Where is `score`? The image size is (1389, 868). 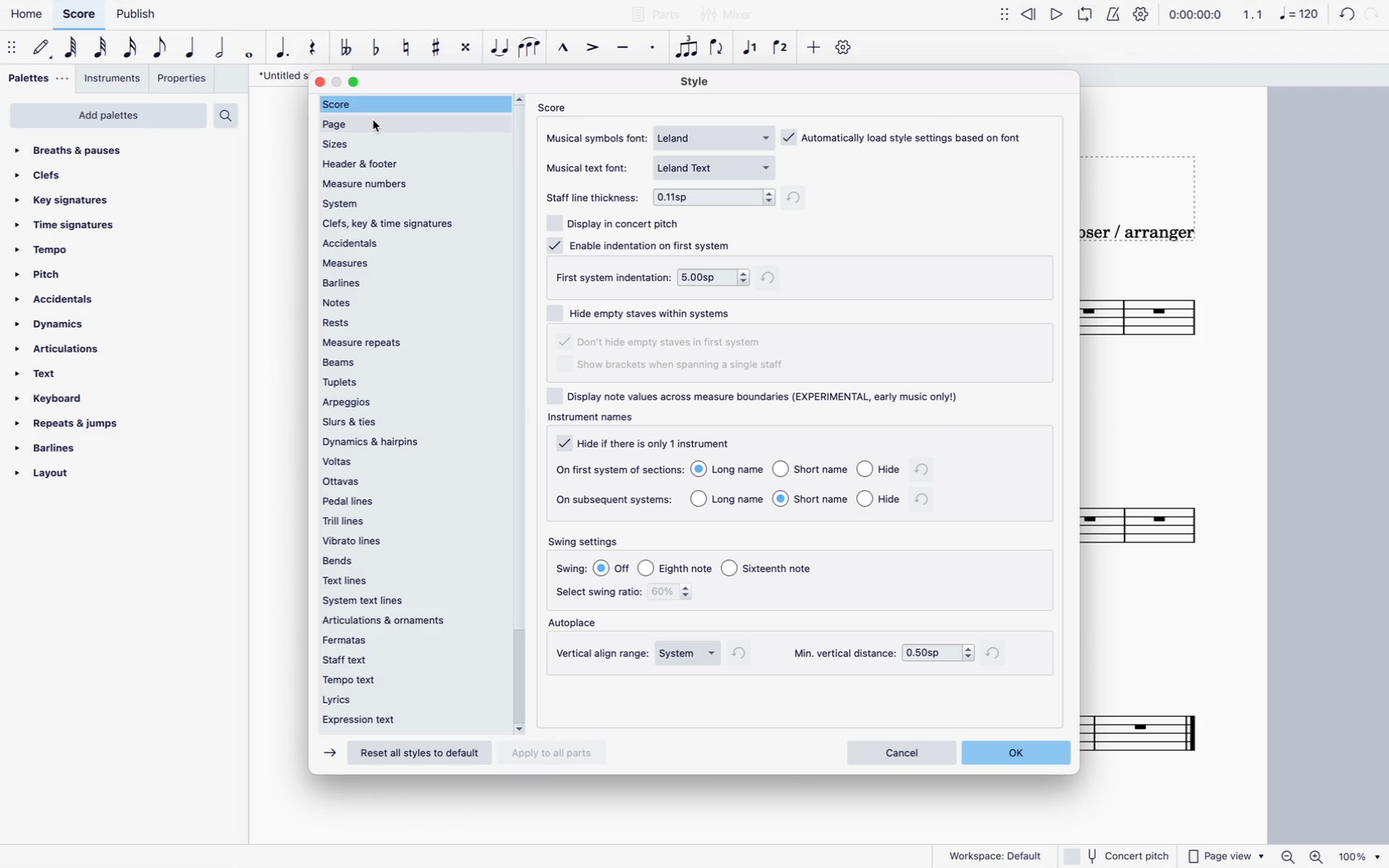 score is located at coordinates (411, 104).